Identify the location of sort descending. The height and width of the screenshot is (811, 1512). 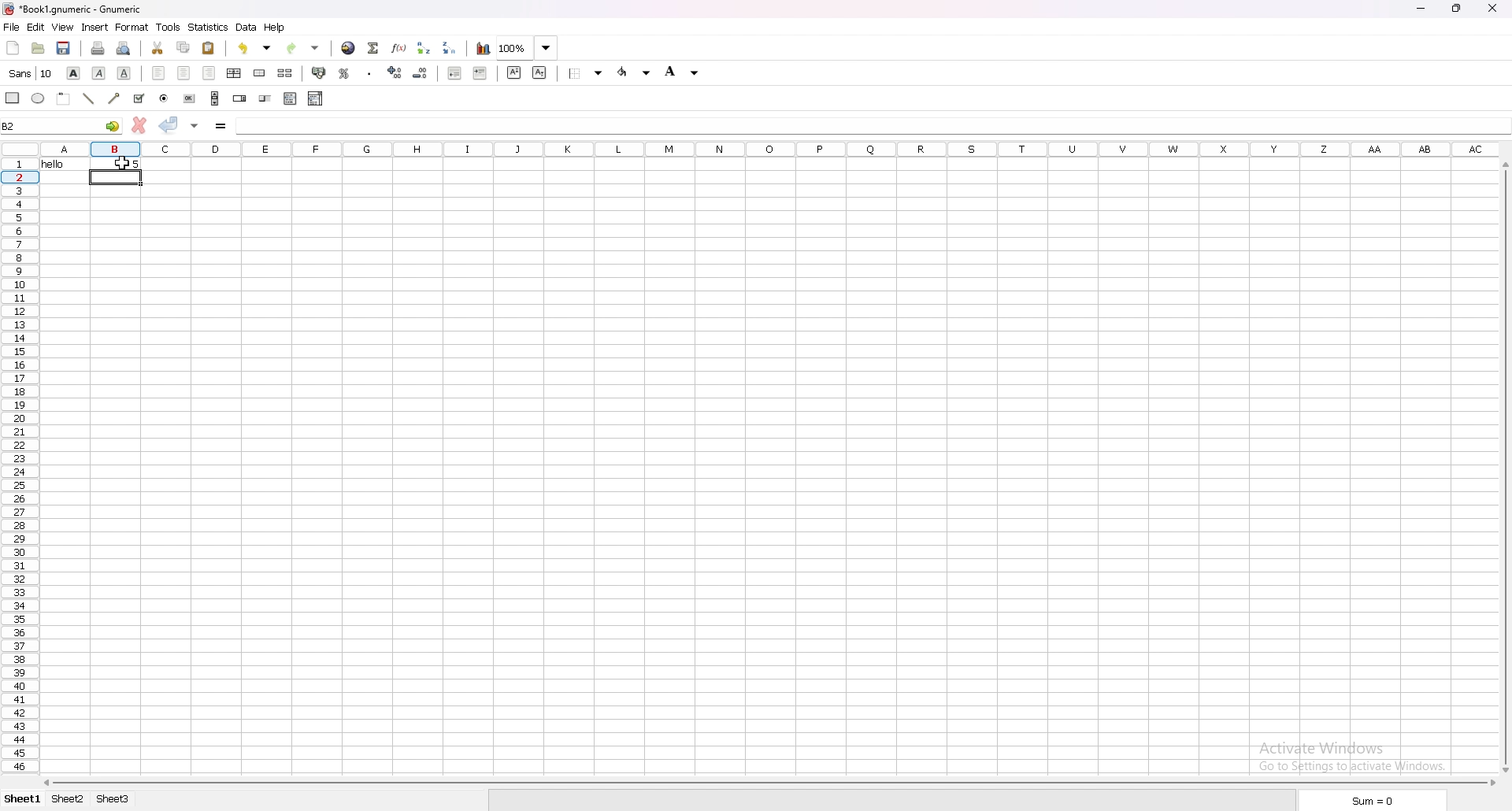
(450, 47).